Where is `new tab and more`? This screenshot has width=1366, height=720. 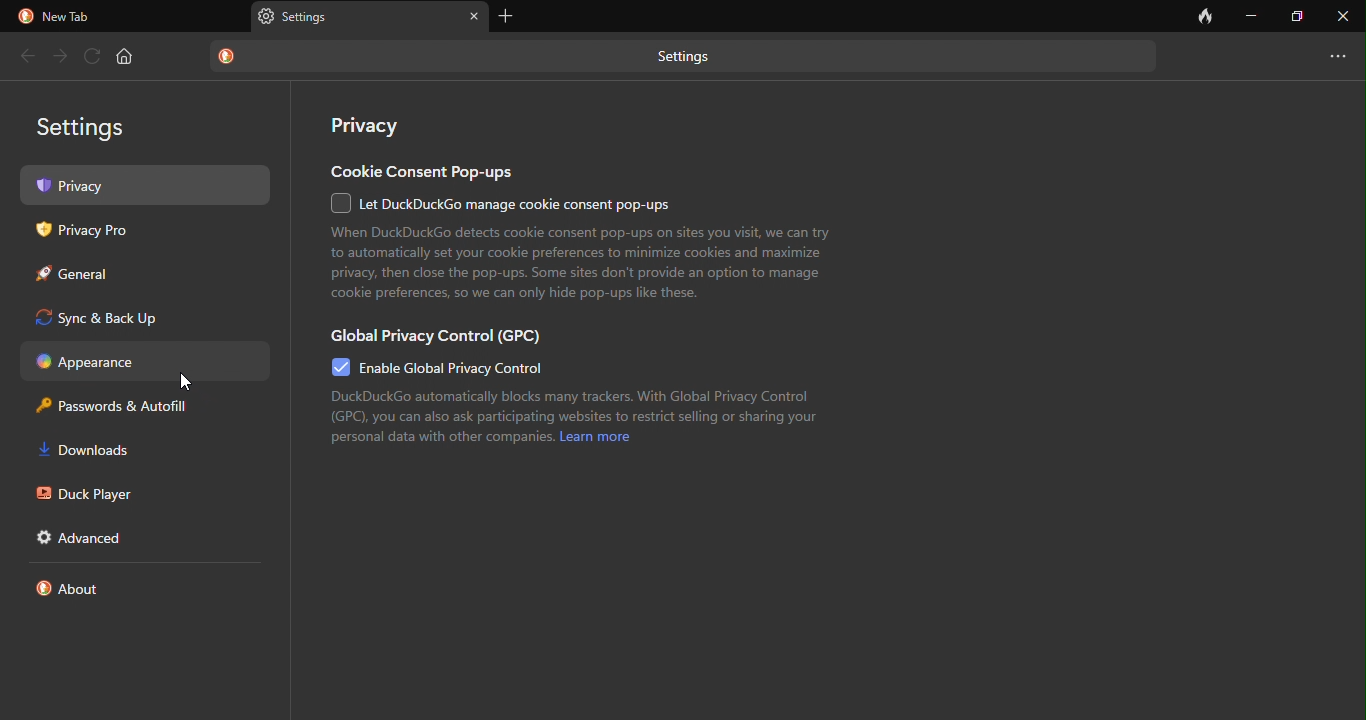 new tab and more is located at coordinates (1340, 51).